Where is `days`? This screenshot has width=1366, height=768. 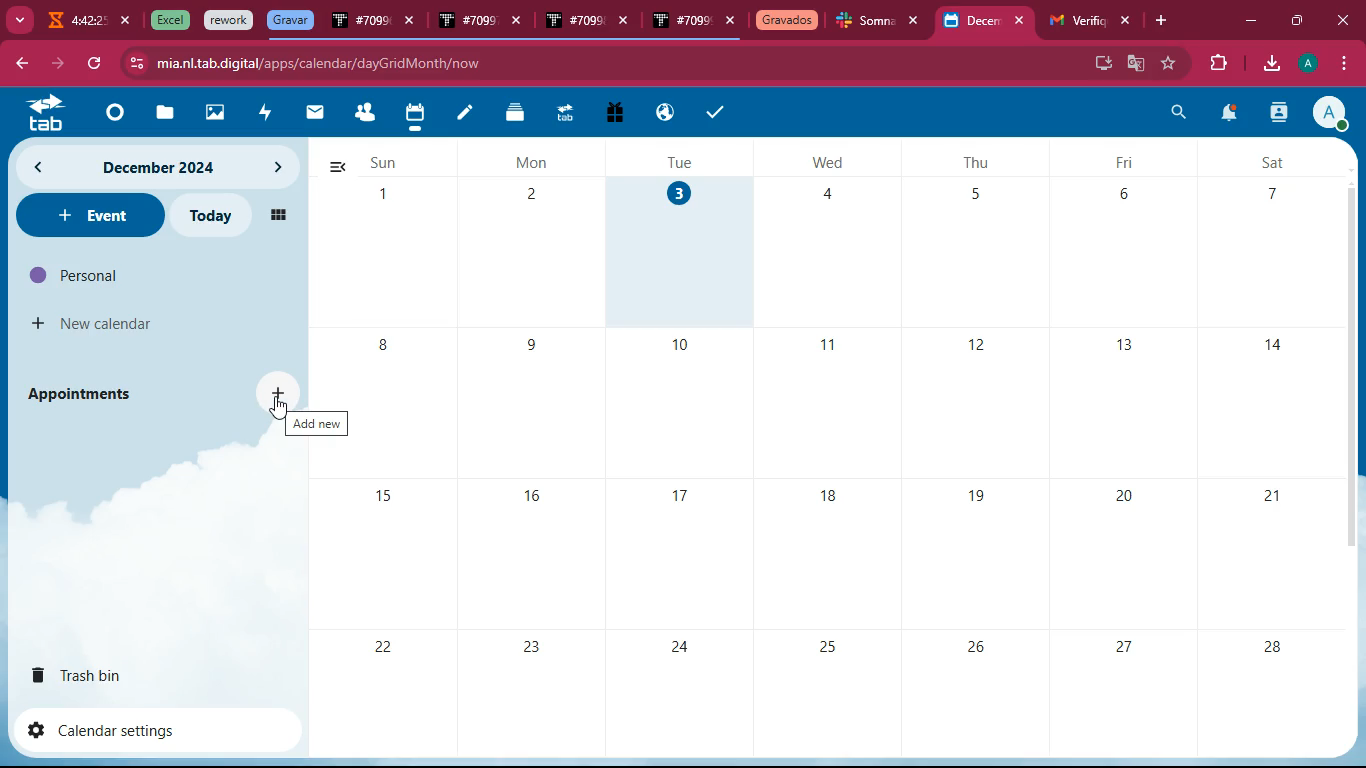 days is located at coordinates (851, 466).